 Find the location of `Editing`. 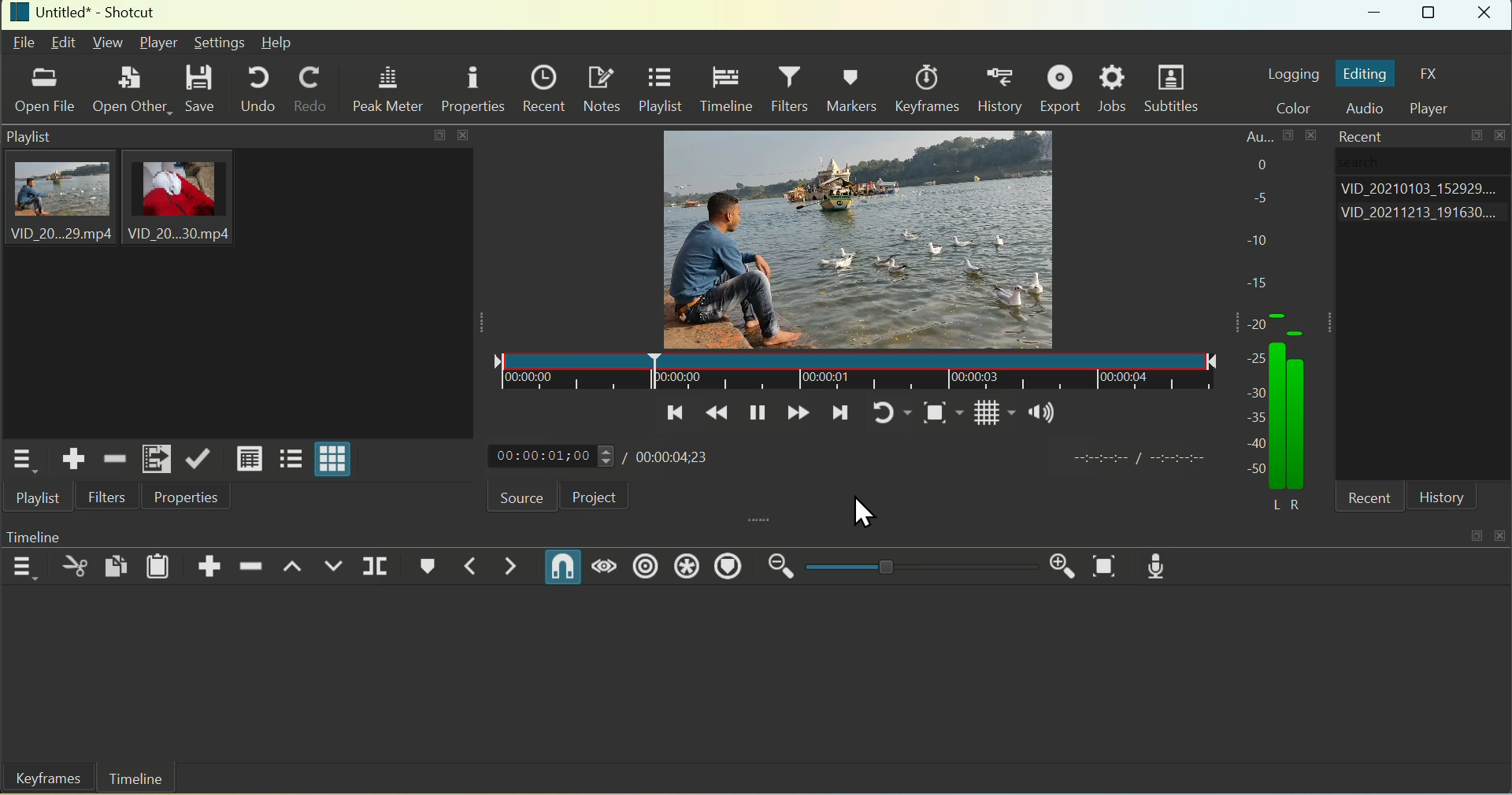

Editing is located at coordinates (1366, 74).